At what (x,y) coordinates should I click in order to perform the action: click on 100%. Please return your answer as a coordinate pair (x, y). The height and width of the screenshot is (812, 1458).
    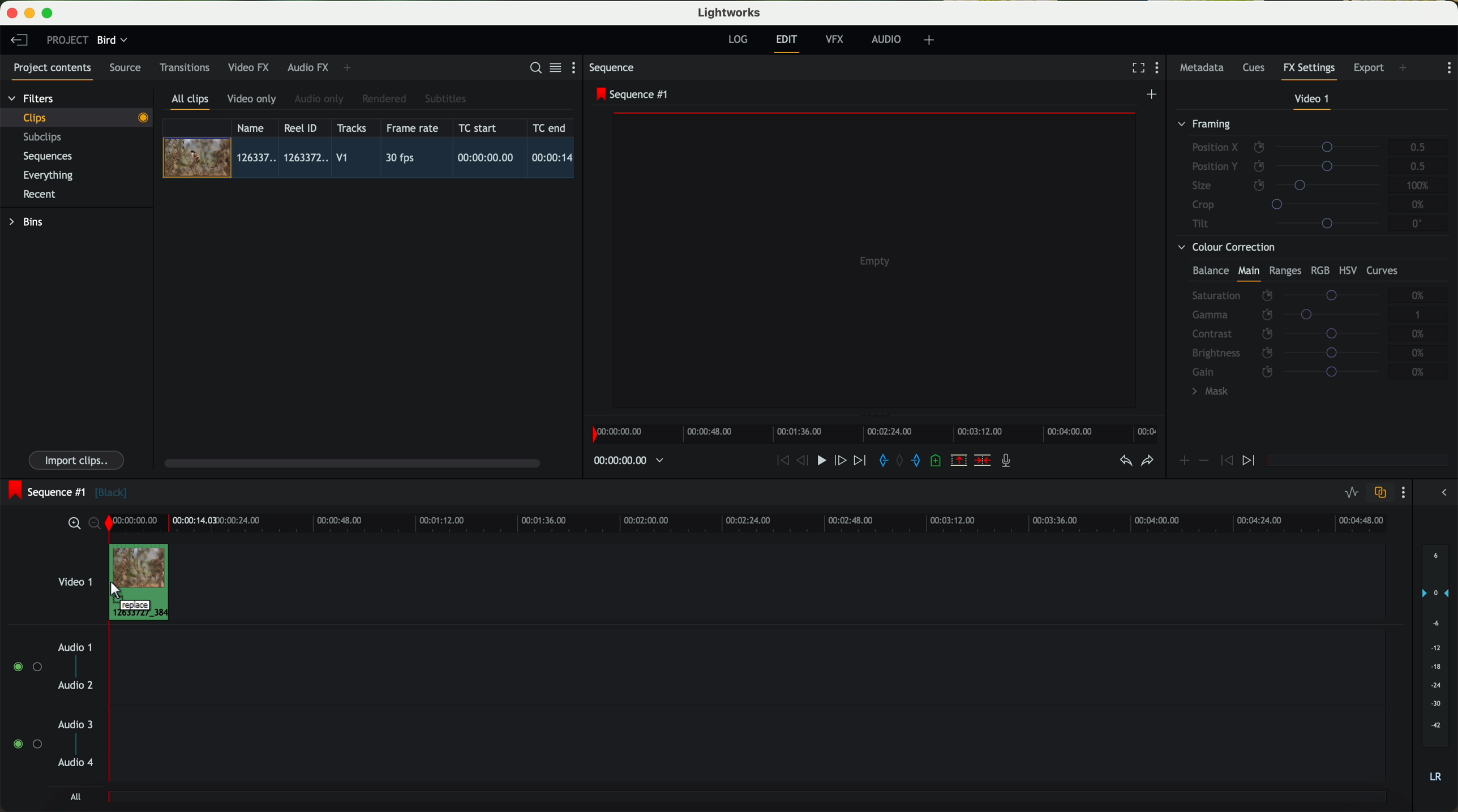
    Looking at the image, I should click on (1421, 186).